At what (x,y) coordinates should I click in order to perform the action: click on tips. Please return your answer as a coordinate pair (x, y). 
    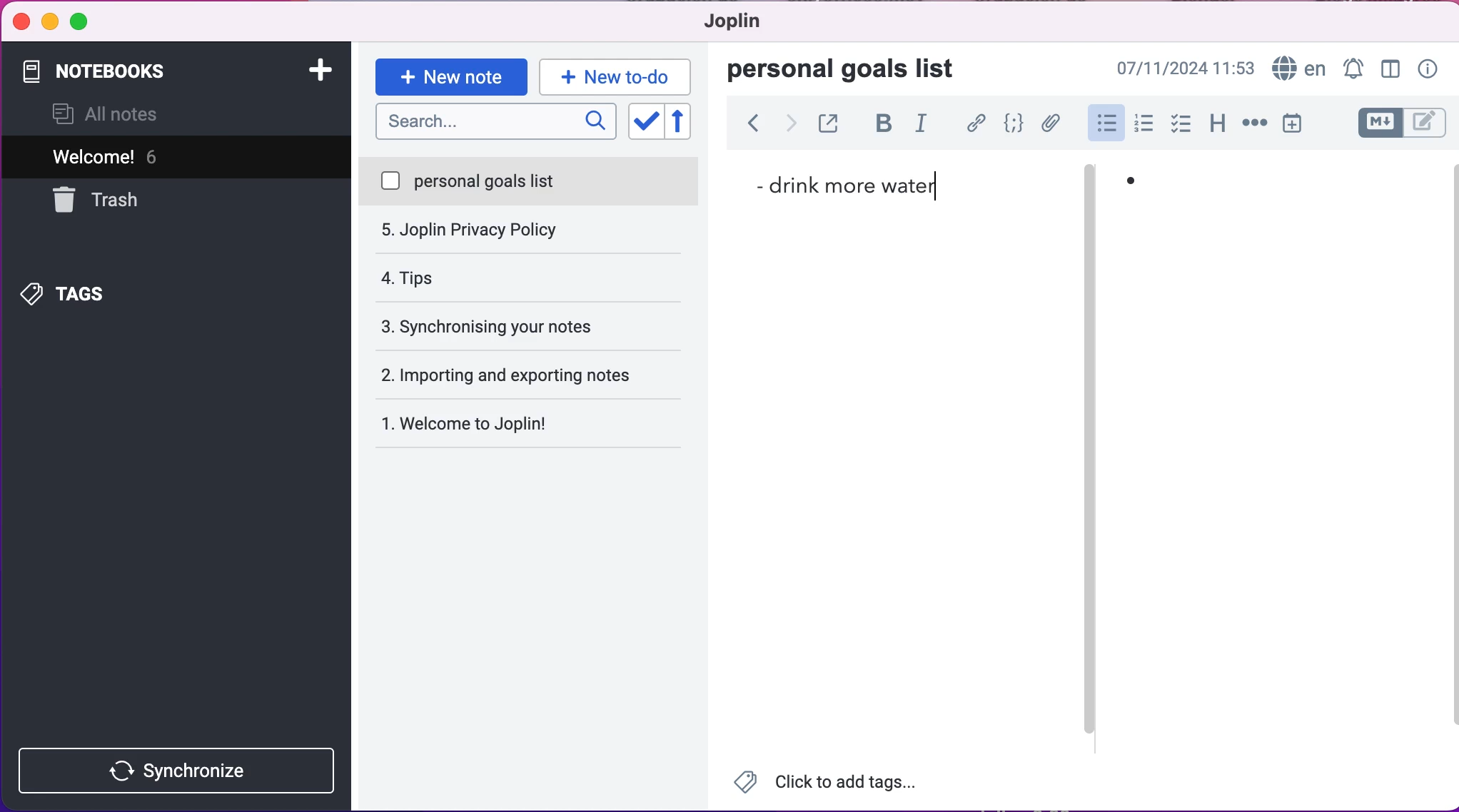
    Looking at the image, I should click on (527, 231).